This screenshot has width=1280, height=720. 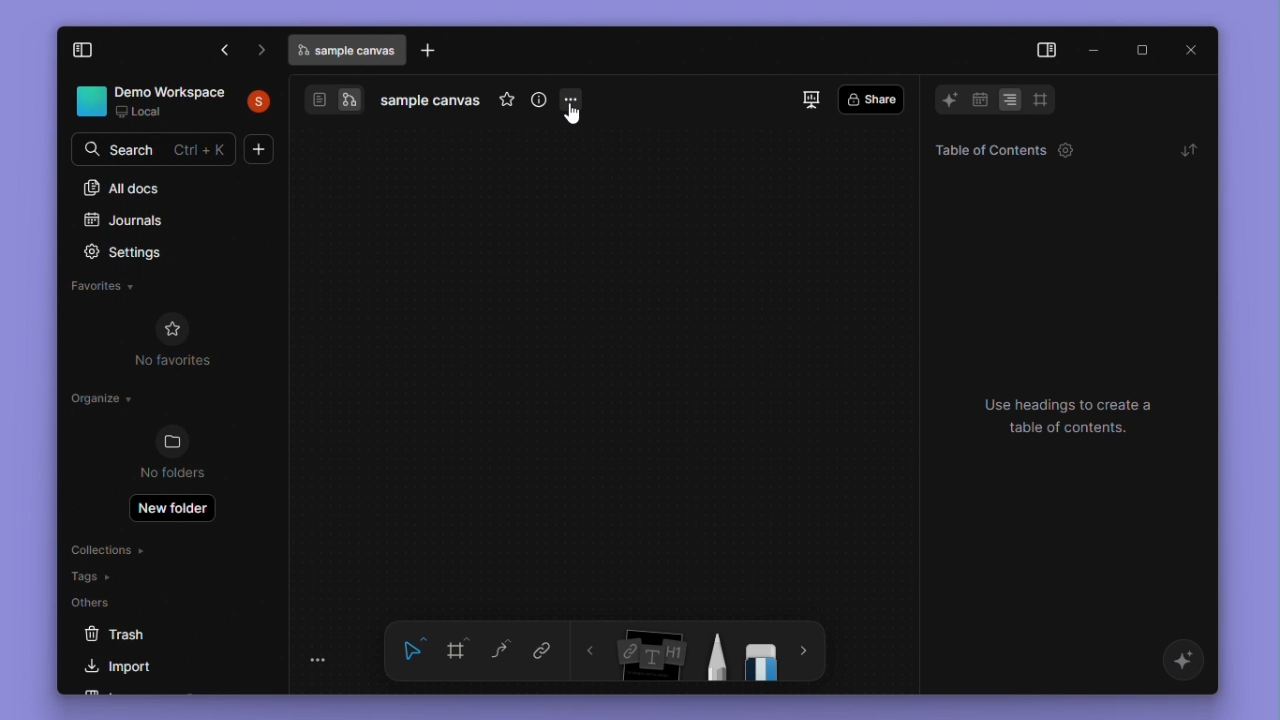 What do you see at coordinates (1080, 418) in the screenshot?
I see `text` at bounding box center [1080, 418].